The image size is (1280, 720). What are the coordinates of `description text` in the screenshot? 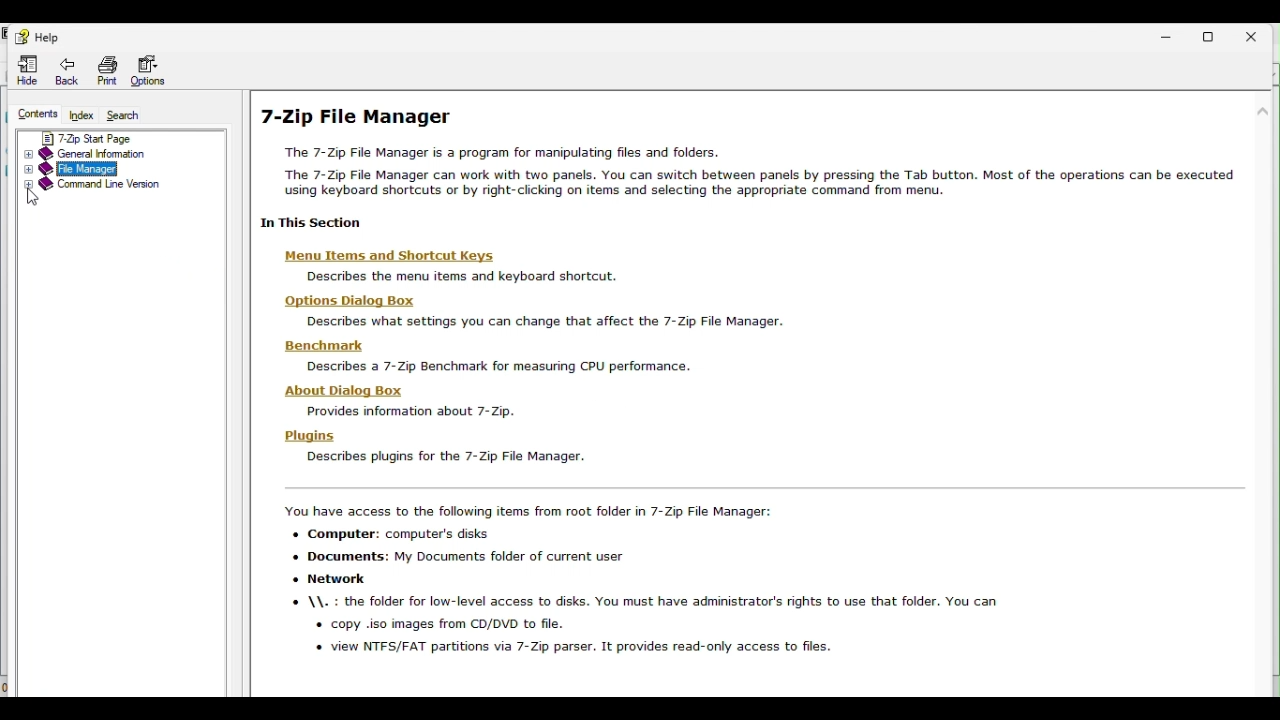 It's located at (443, 457).